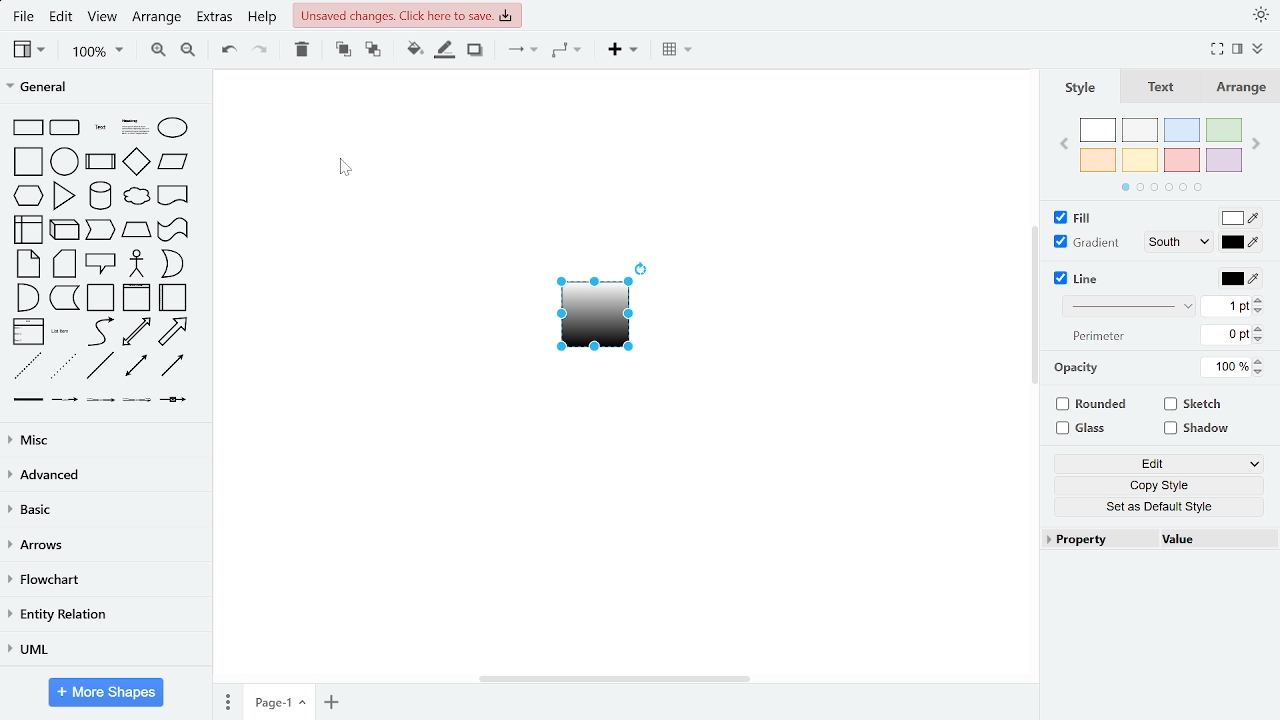 This screenshot has width=1280, height=720. Describe the element at coordinates (188, 51) in the screenshot. I see `zoom out` at that location.